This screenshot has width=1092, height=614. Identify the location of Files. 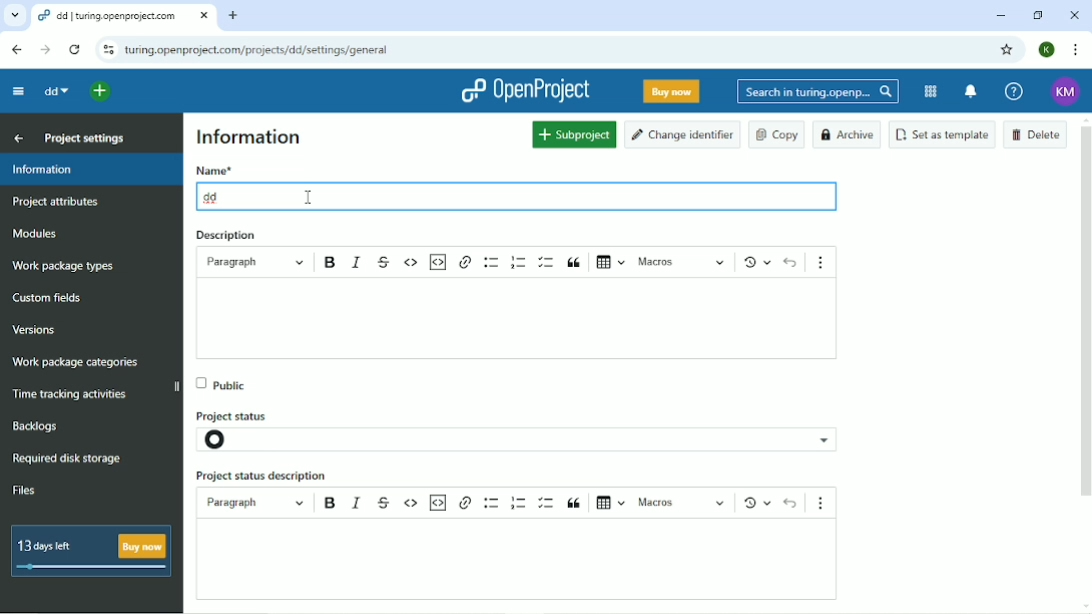
(25, 491).